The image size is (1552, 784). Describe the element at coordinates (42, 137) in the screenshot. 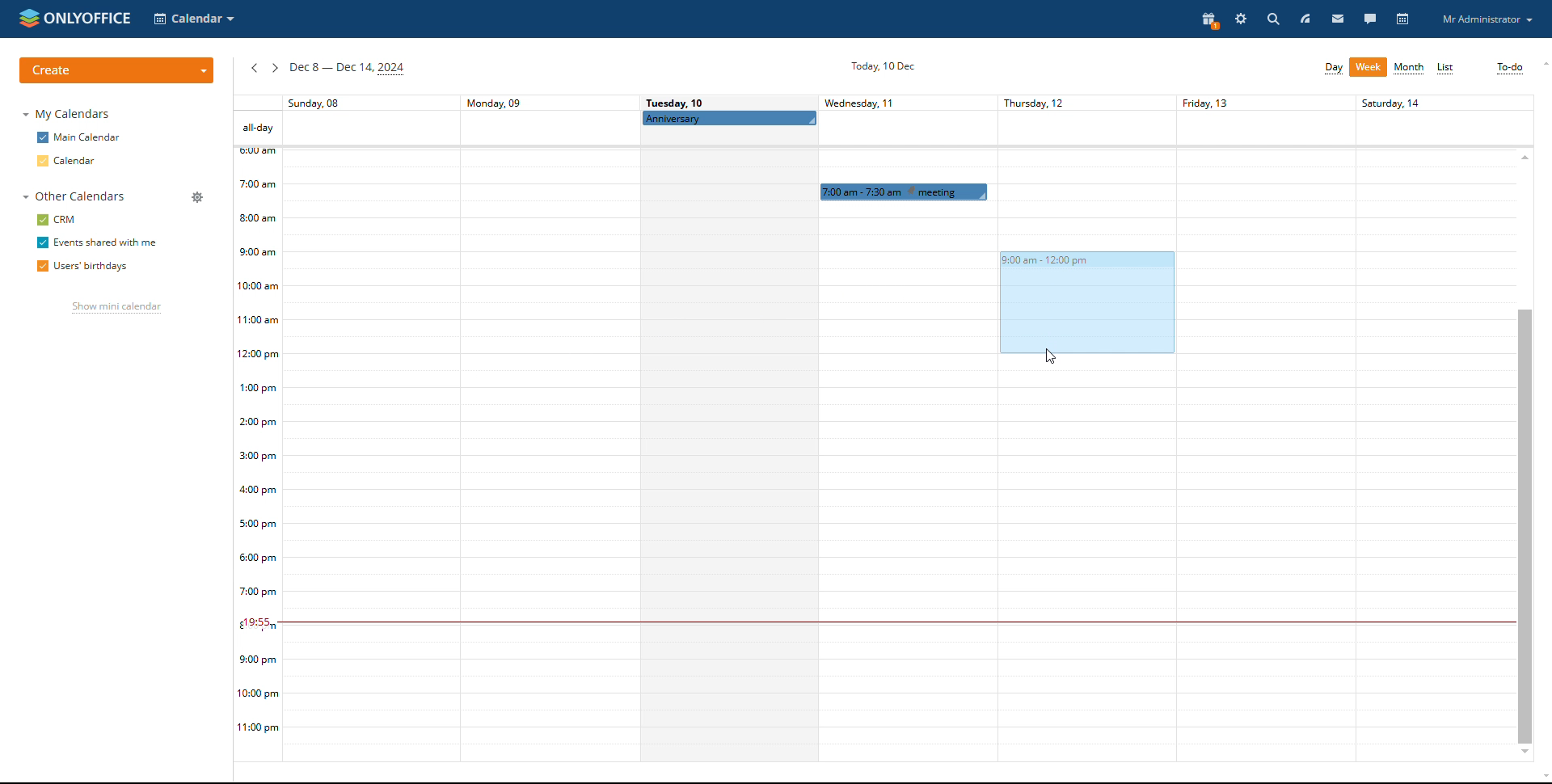

I see `checkbox` at that location.